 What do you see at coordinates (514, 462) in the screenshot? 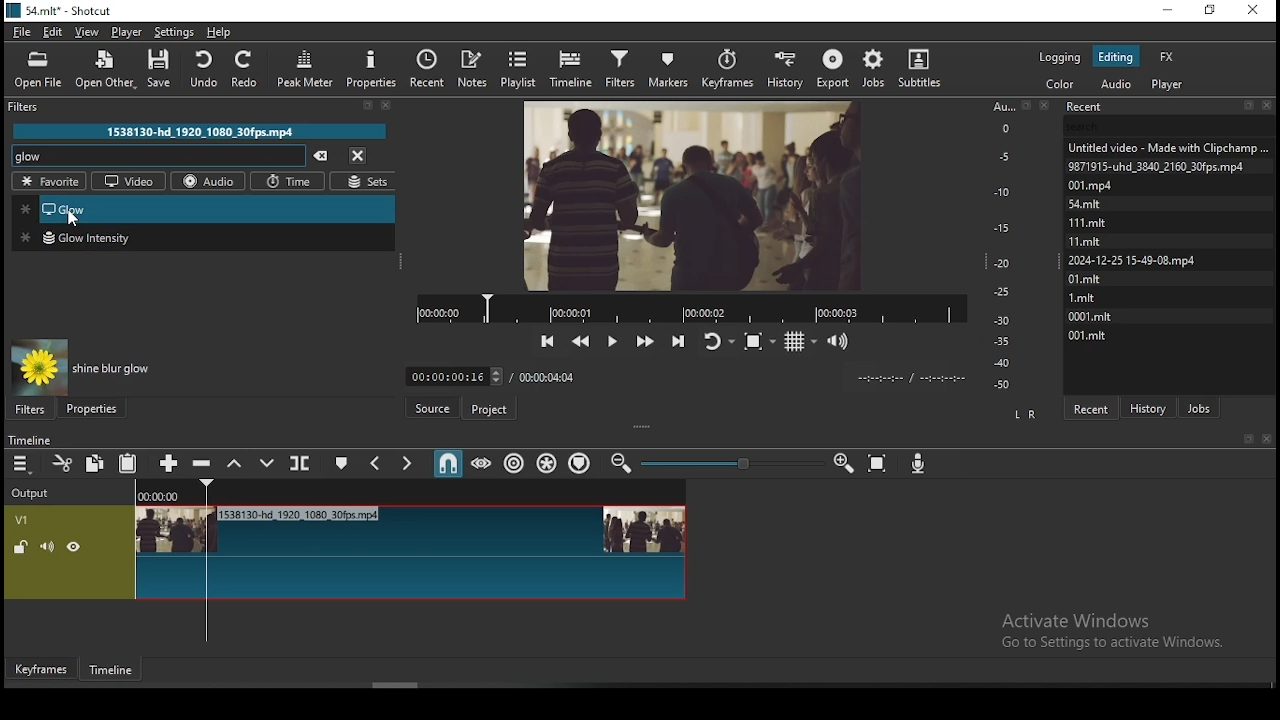
I see `ripple` at bounding box center [514, 462].